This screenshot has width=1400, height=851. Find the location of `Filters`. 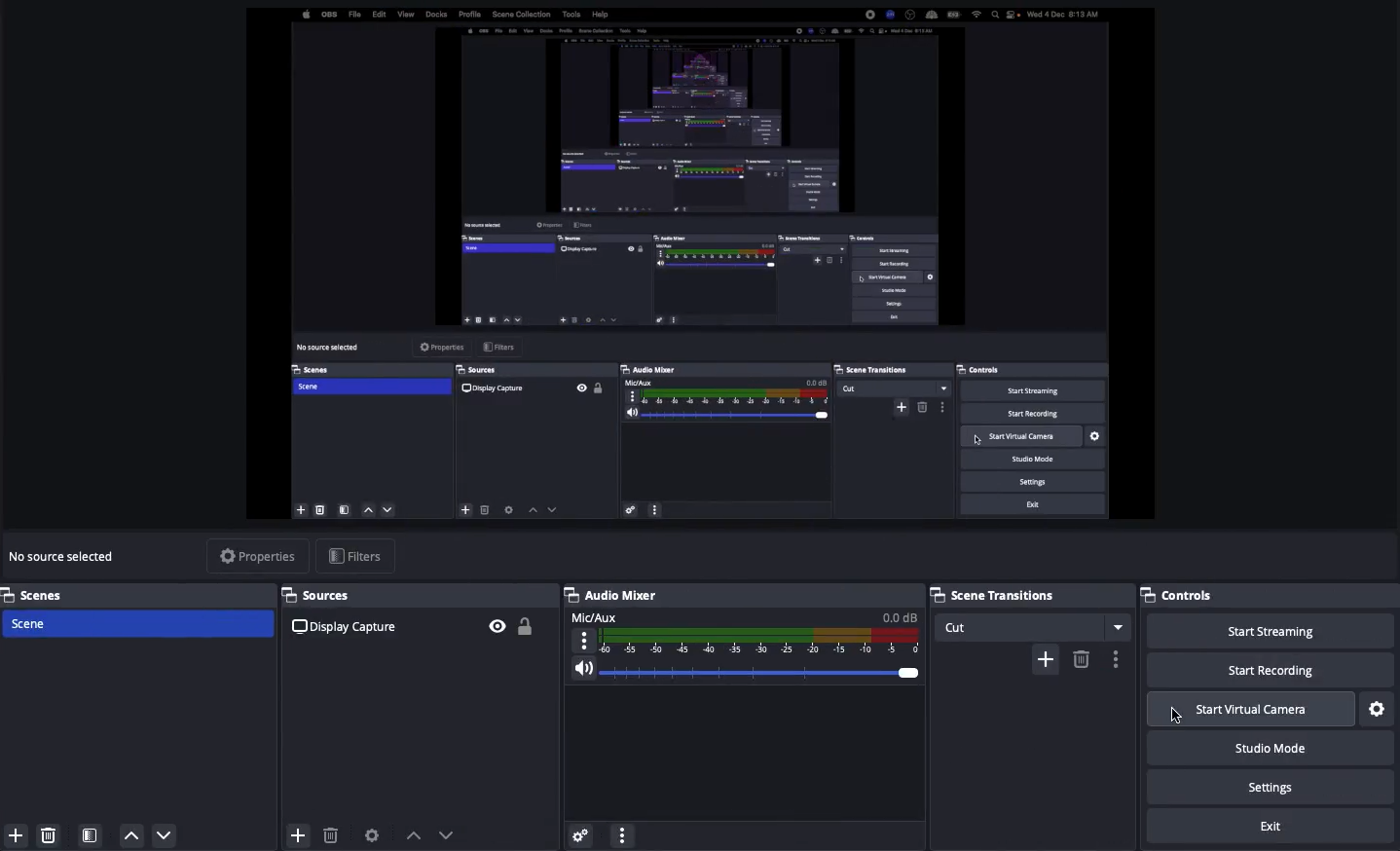

Filters is located at coordinates (357, 557).